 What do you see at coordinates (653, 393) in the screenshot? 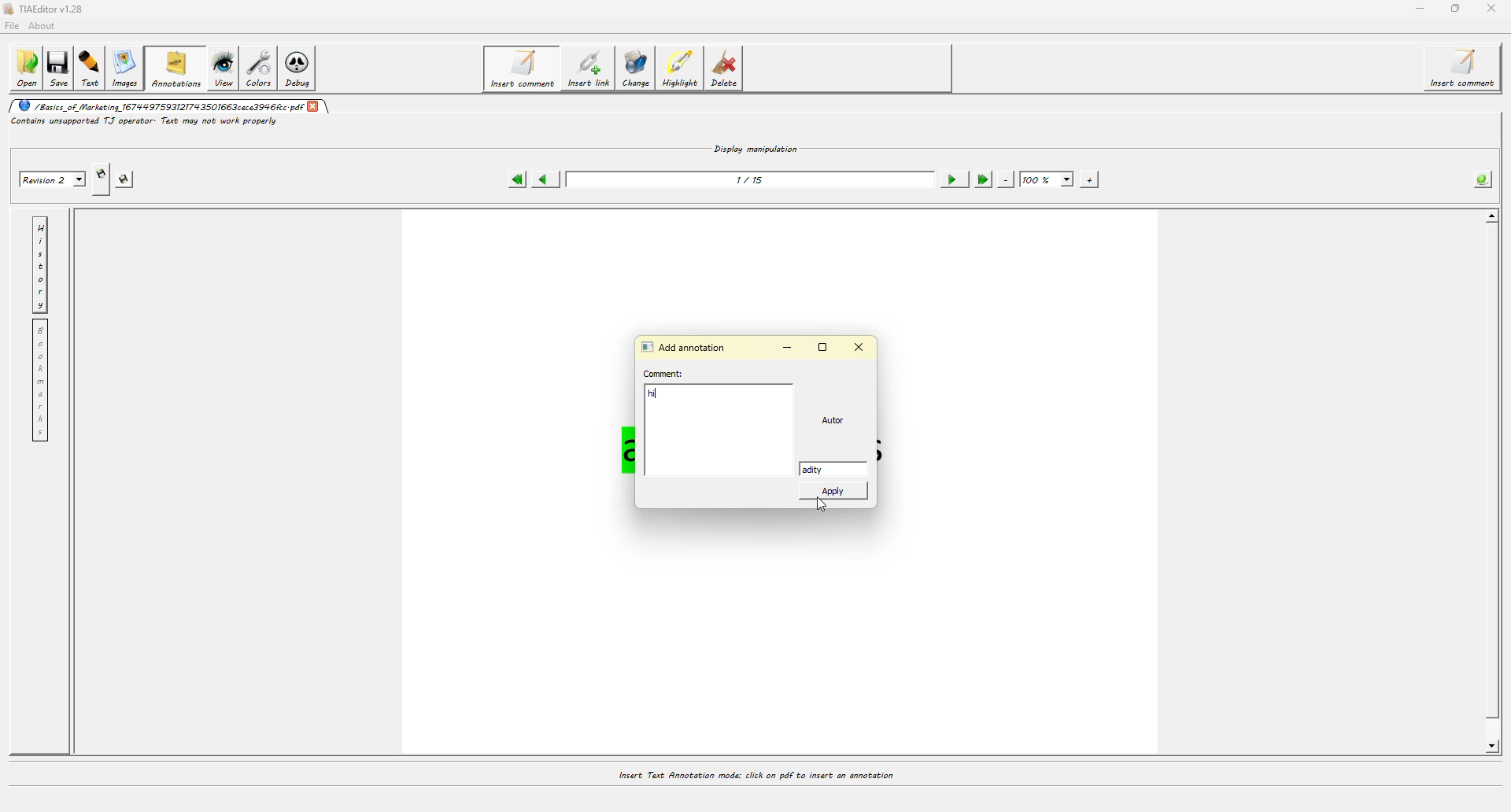
I see `hi` at bounding box center [653, 393].